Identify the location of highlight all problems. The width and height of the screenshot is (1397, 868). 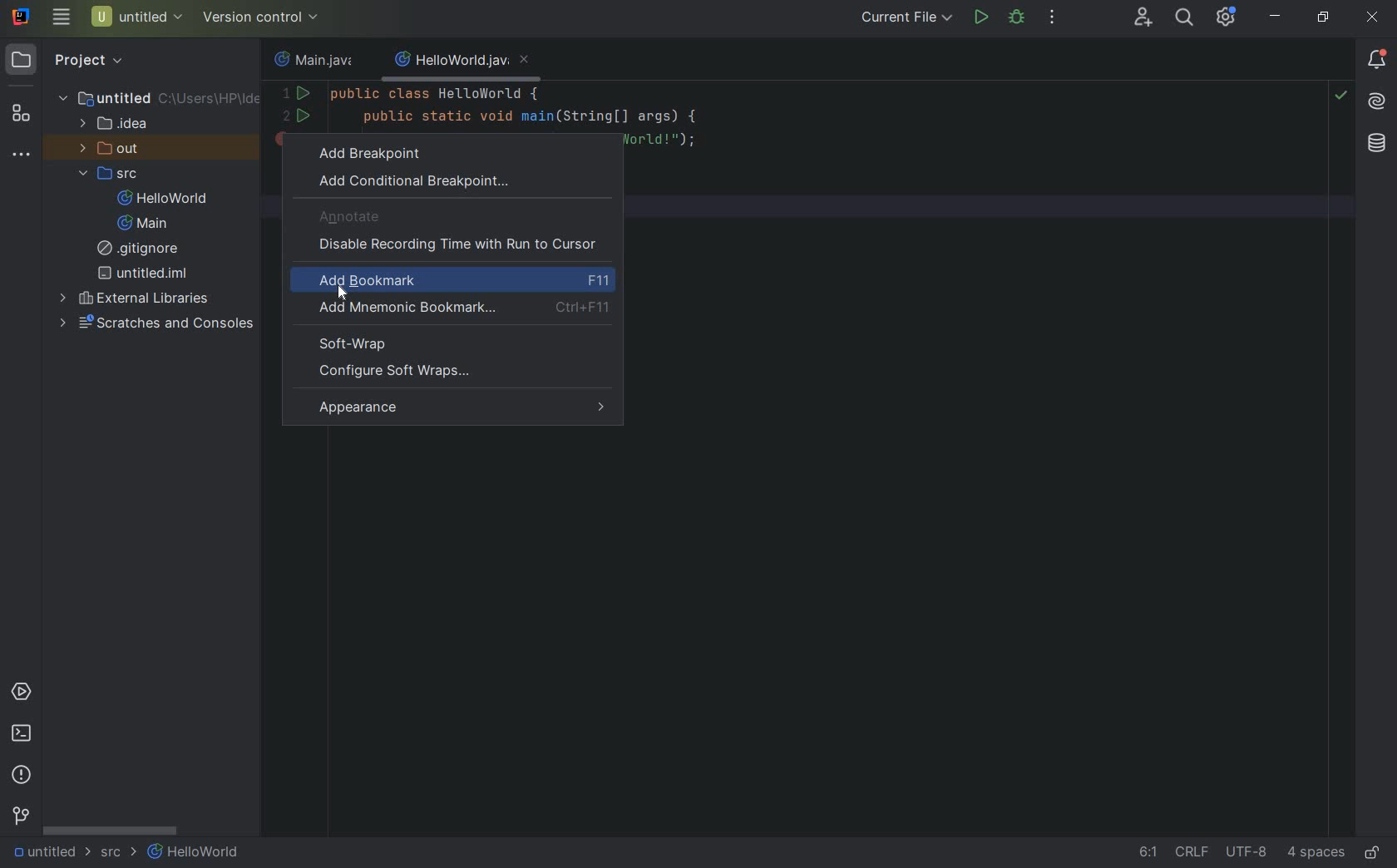
(1342, 98).